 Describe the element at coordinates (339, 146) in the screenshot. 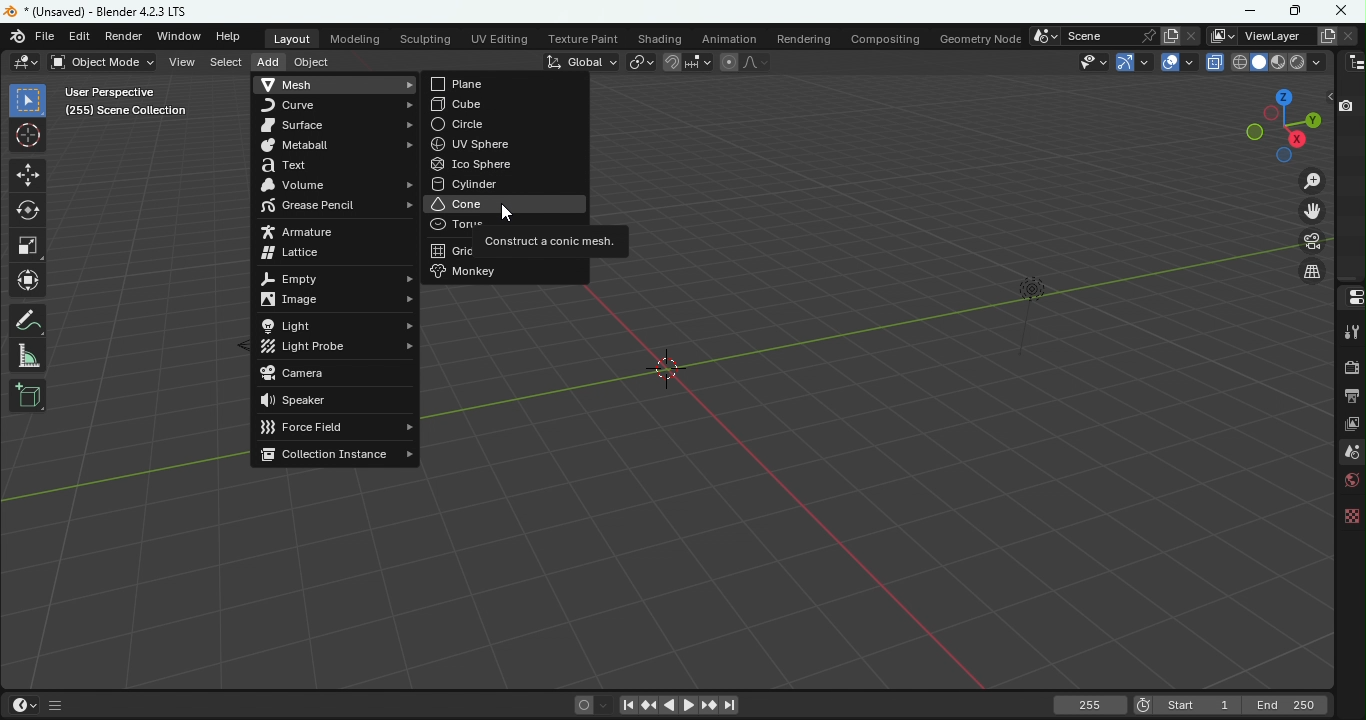

I see `Metaball` at that location.